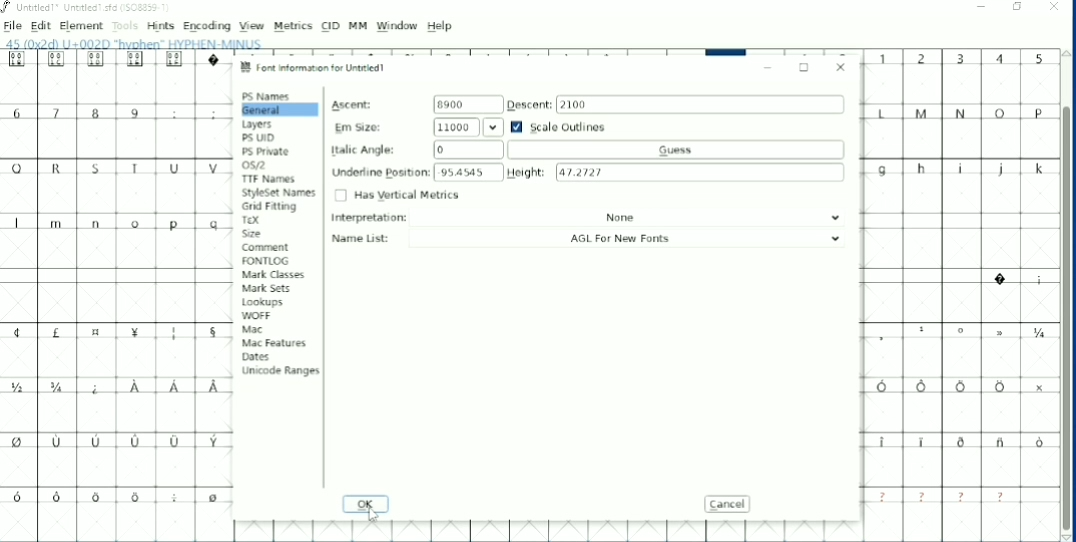  Describe the element at coordinates (268, 290) in the screenshot. I see `Mark Sets` at that location.